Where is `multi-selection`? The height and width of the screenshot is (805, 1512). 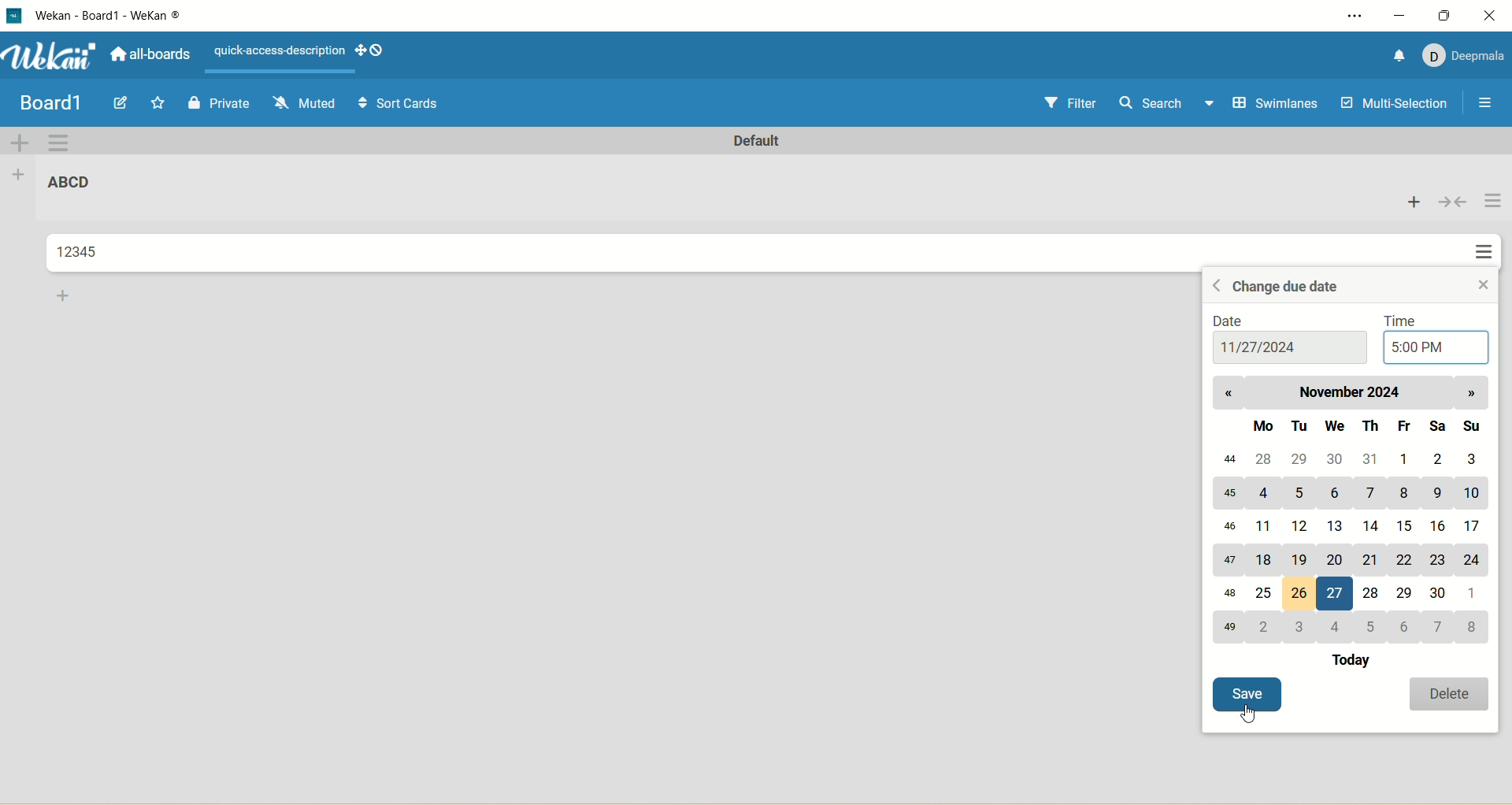 multi-selection is located at coordinates (1395, 106).